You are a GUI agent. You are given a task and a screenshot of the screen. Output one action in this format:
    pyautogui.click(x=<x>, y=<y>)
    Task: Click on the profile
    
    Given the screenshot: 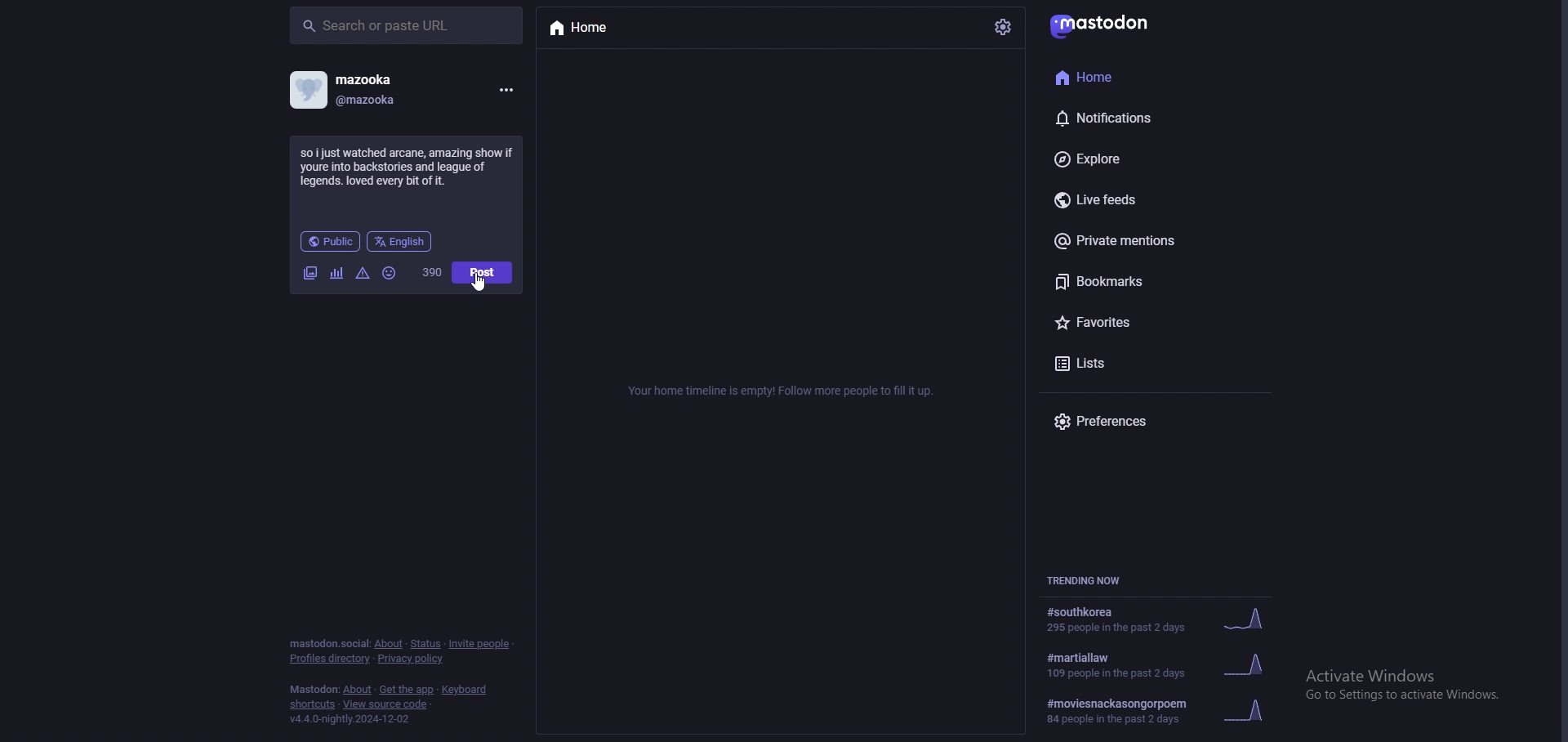 What is the action you would take?
    pyautogui.click(x=351, y=88)
    